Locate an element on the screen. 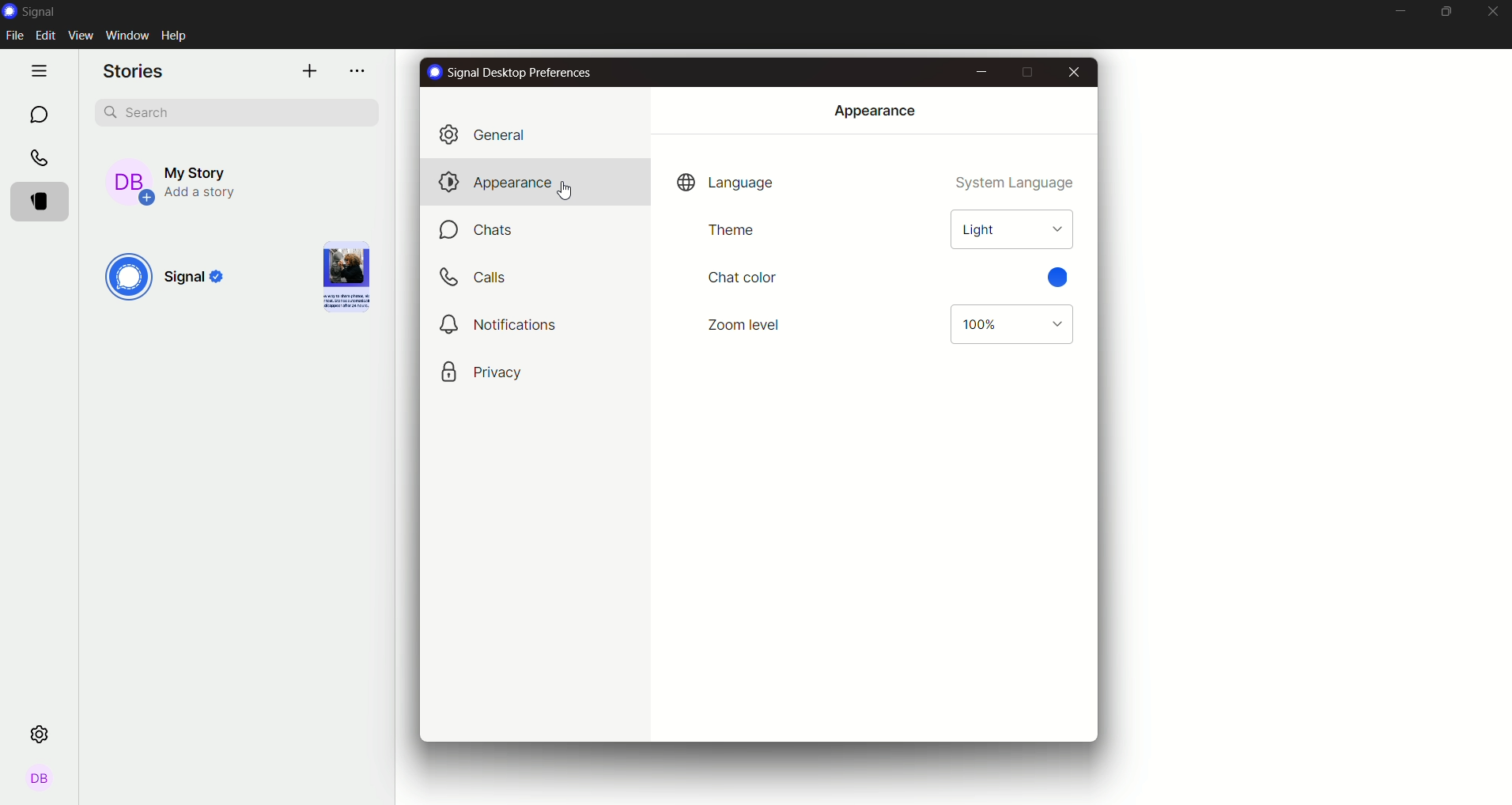 The height and width of the screenshot is (805, 1512). Cursor is located at coordinates (566, 193).